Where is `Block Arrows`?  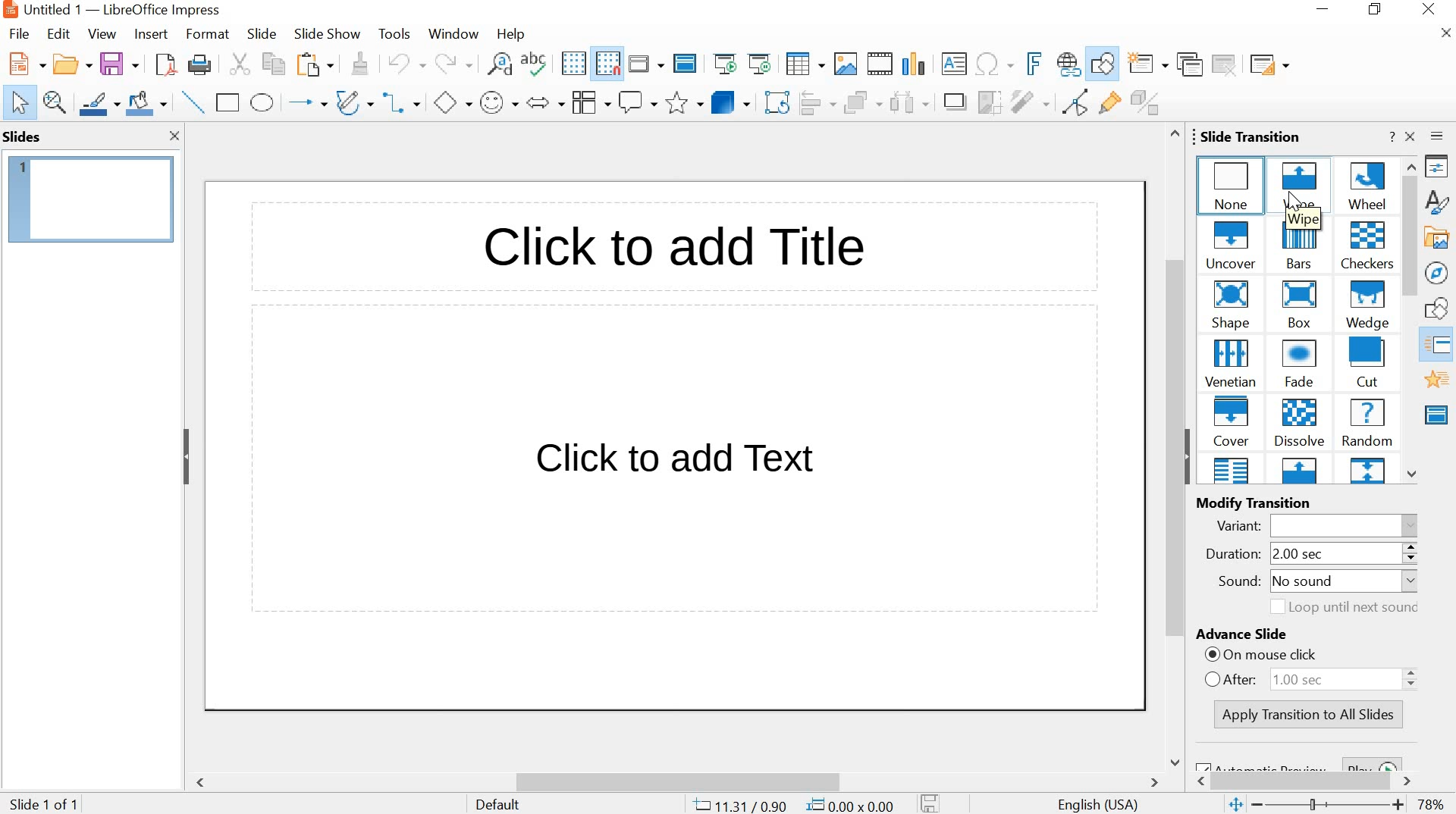
Block Arrows is located at coordinates (544, 104).